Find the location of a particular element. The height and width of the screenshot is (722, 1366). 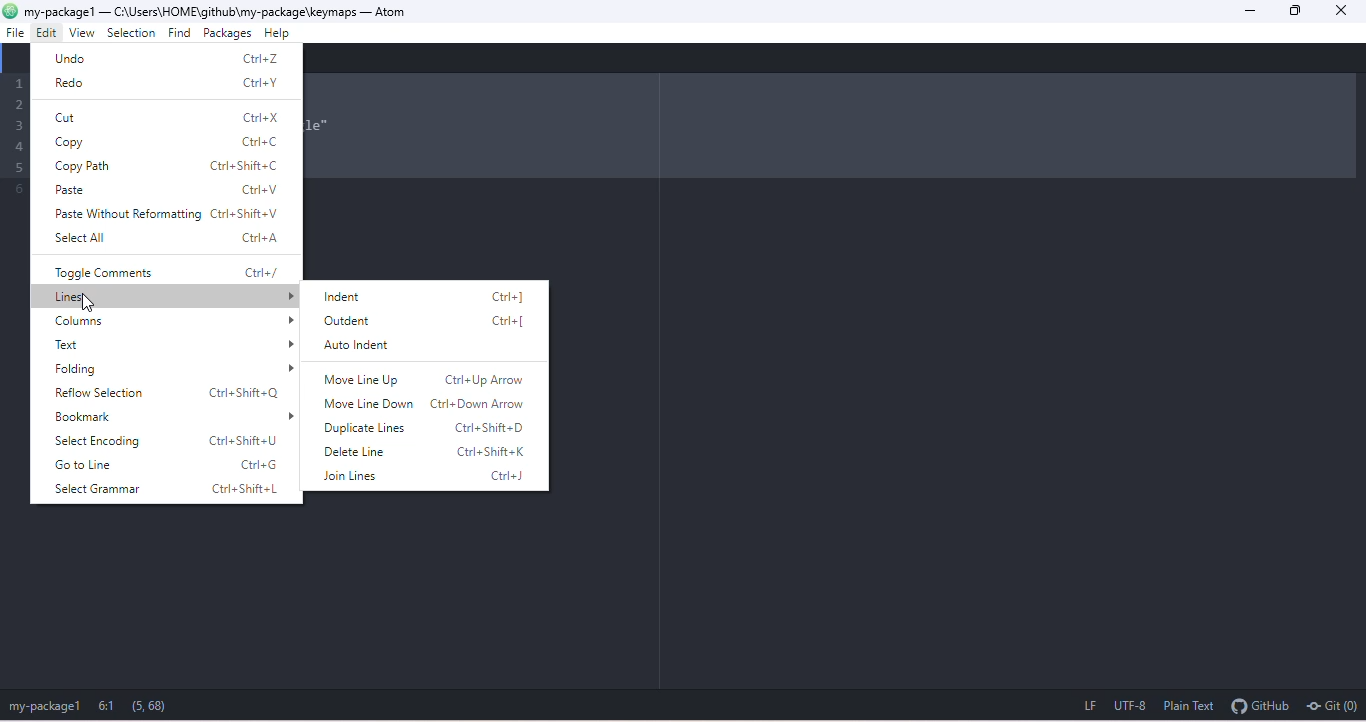

utf 8 is located at coordinates (1132, 708).